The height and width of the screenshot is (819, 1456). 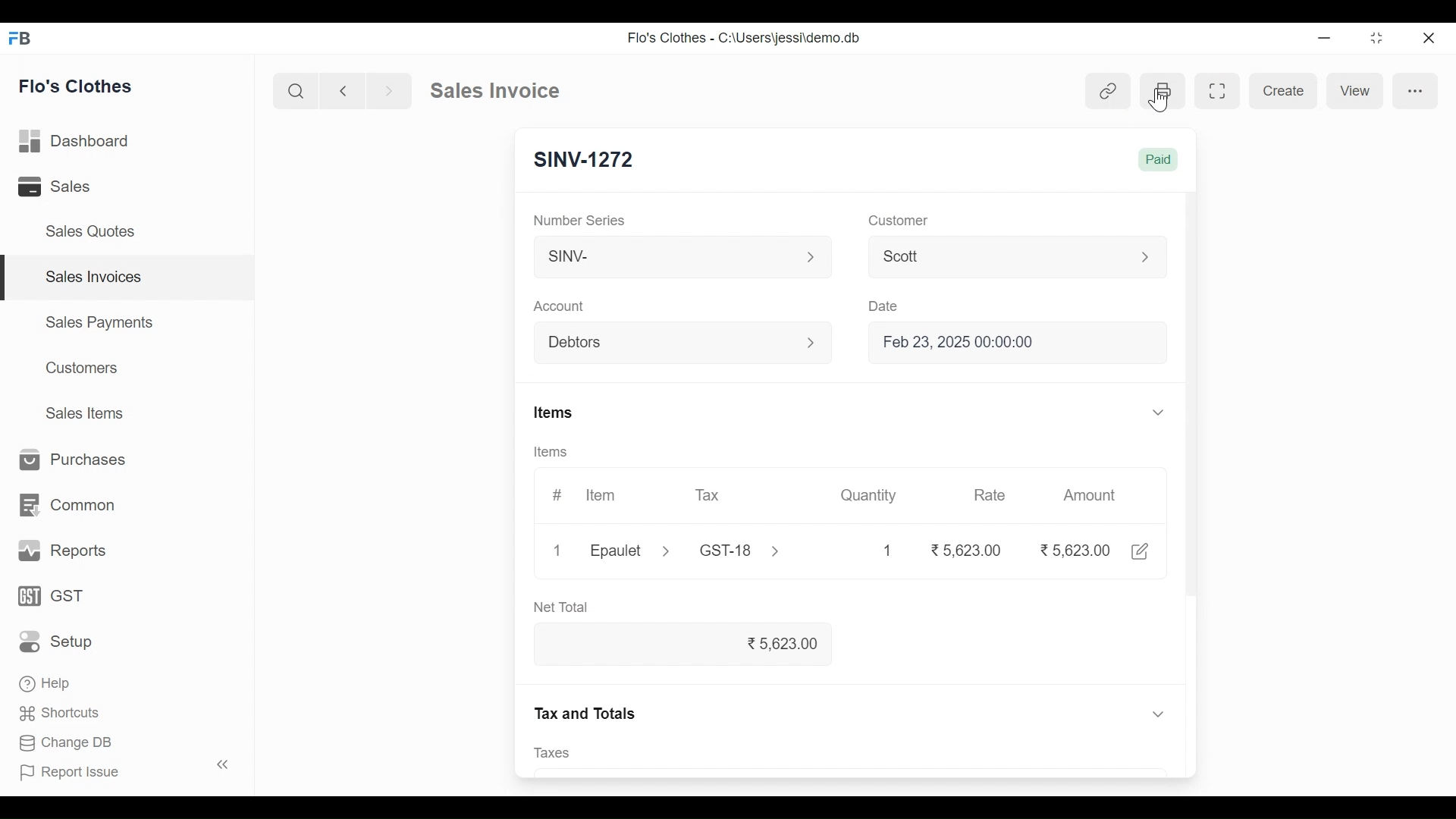 What do you see at coordinates (564, 305) in the screenshot?
I see `Account` at bounding box center [564, 305].